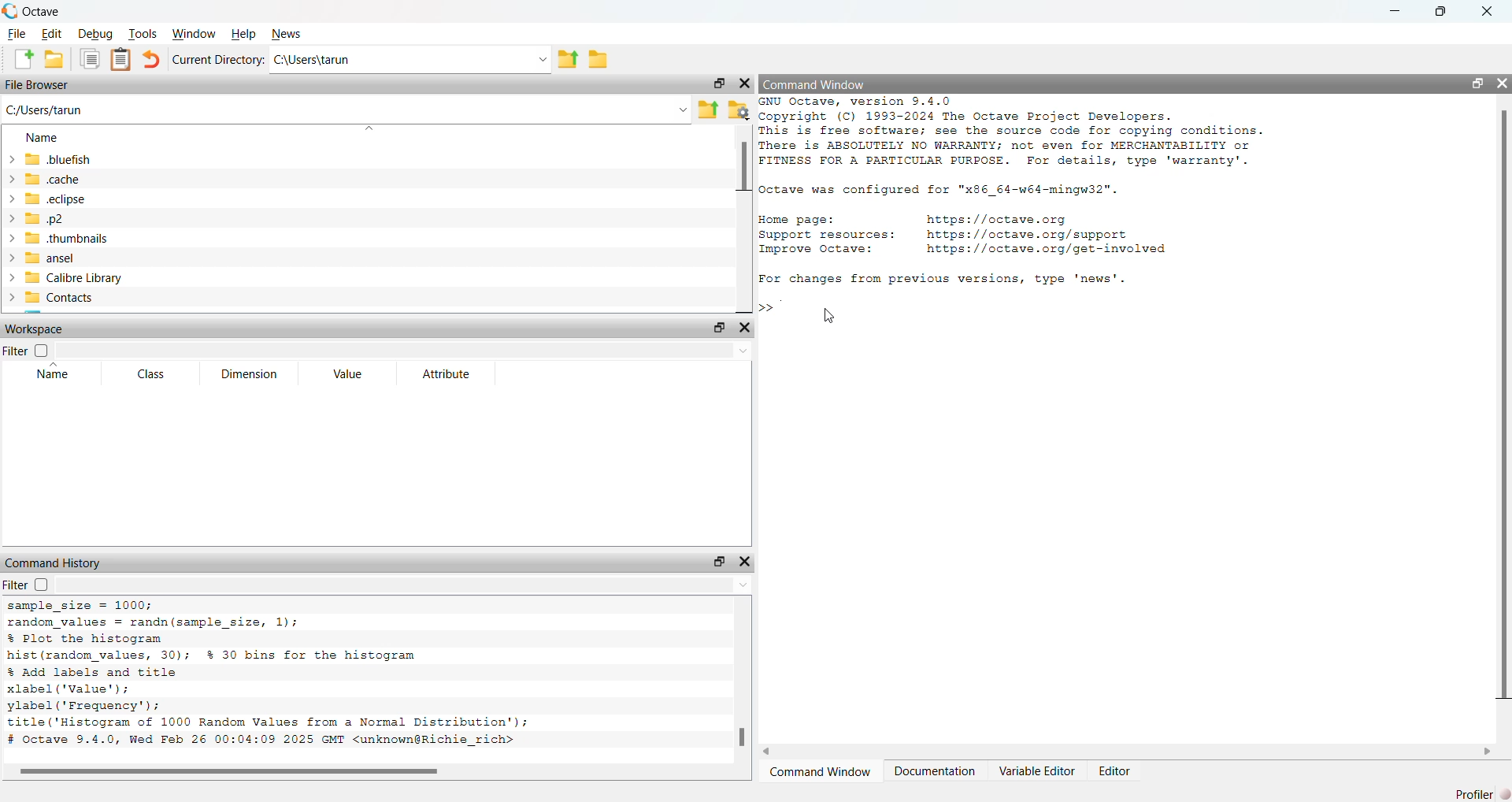 This screenshot has width=1512, height=802. I want to click on Variable Editor, so click(1037, 771).